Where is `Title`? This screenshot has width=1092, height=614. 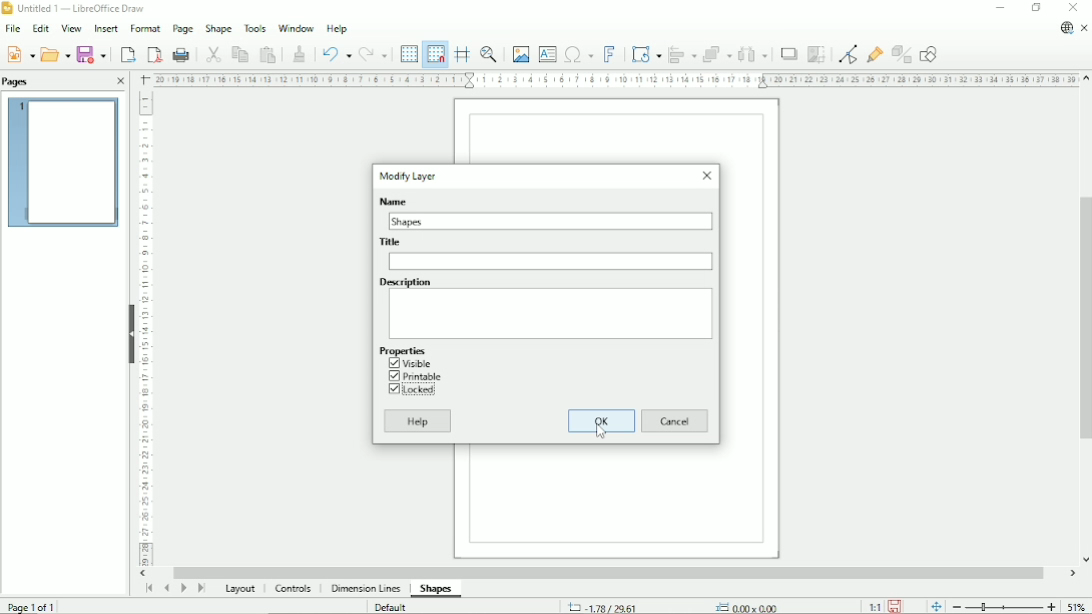
Title is located at coordinates (391, 242).